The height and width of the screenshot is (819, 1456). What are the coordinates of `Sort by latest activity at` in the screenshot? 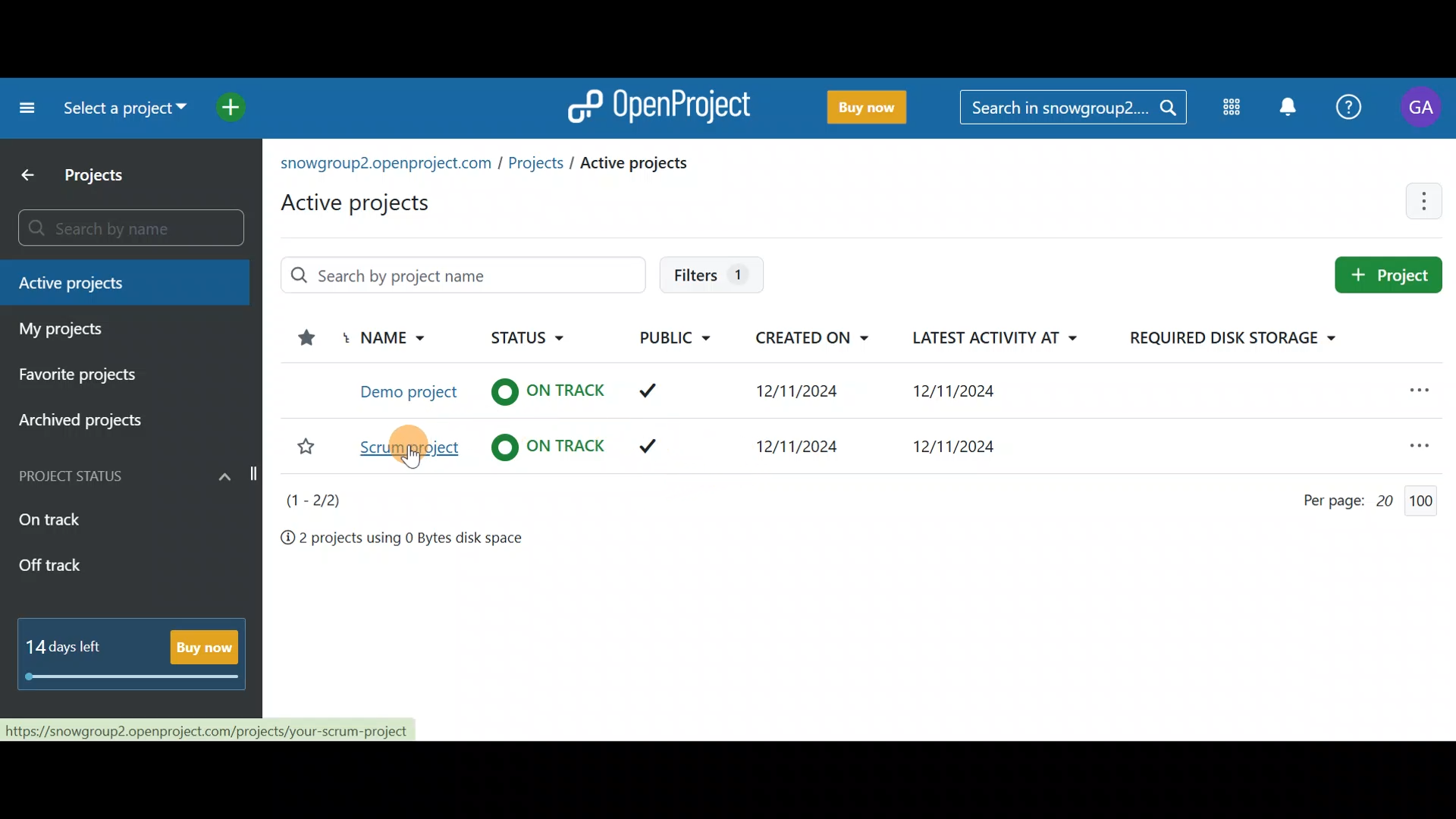 It's located at (998, 337).